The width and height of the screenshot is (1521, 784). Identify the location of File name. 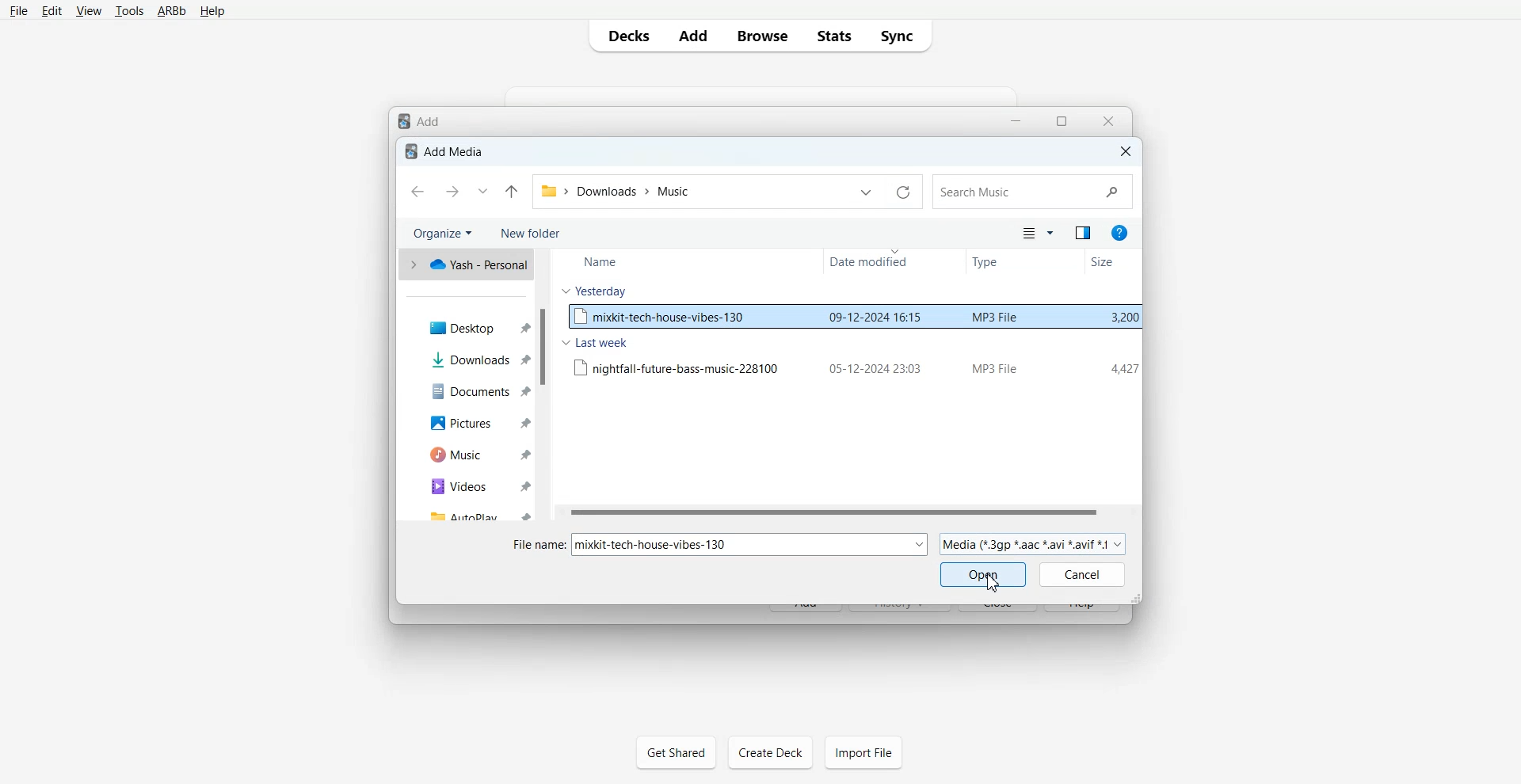
(709, 548).